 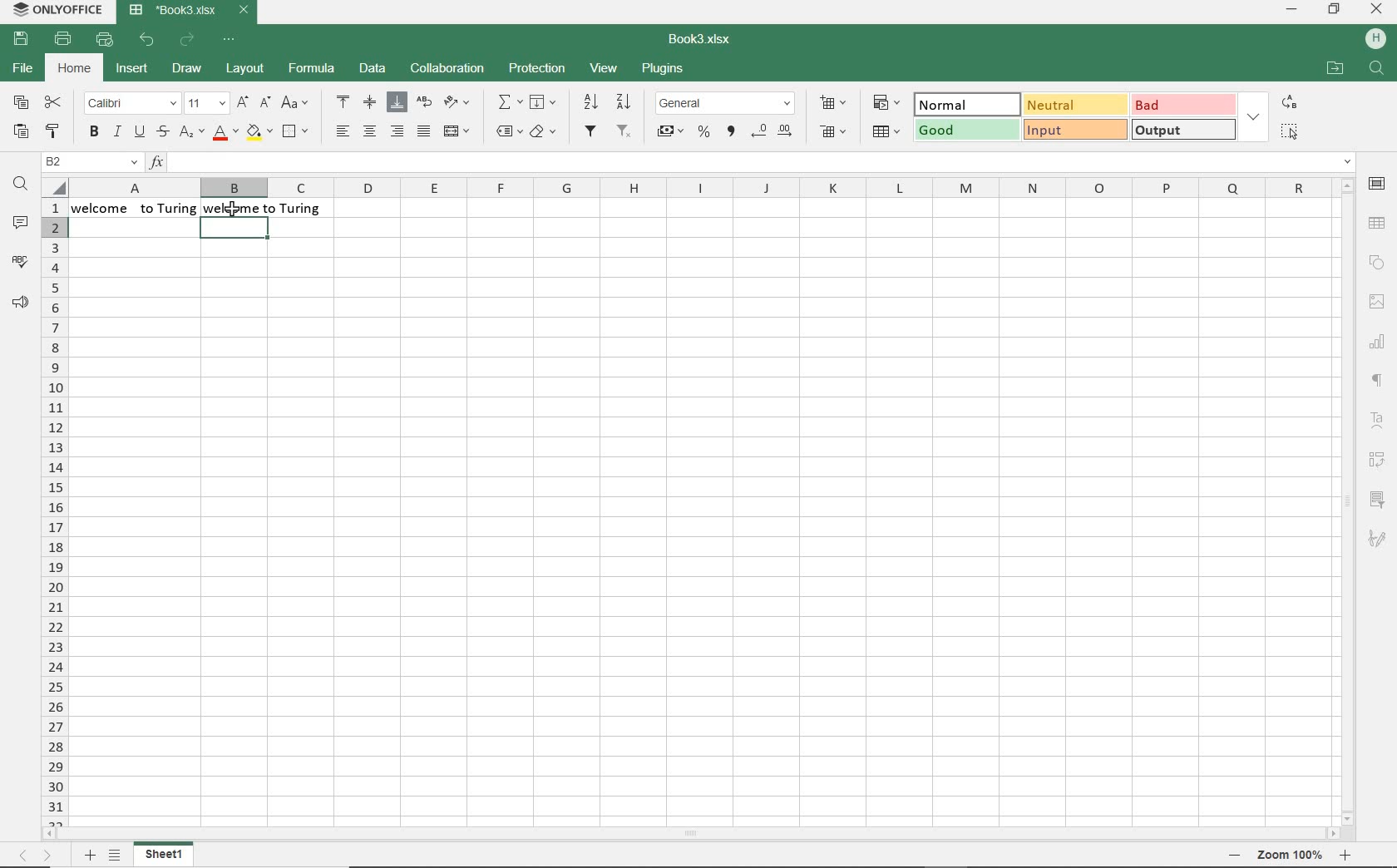 What do you see at coordinates (1289, 101) in the screenshot?
I see `REPLACE` at bounding box center [1289, 101].